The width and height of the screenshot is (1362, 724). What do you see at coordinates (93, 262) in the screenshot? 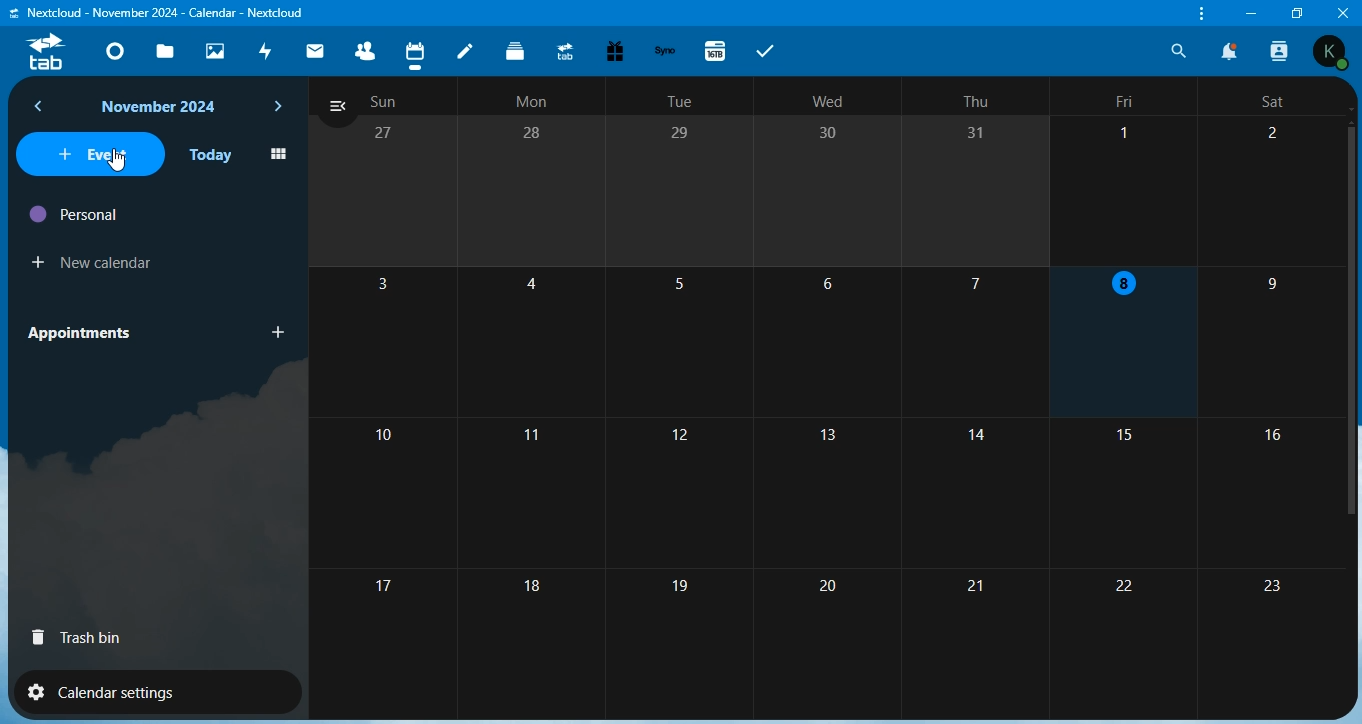
I see `new calendar` at bounding box center [93, 262].